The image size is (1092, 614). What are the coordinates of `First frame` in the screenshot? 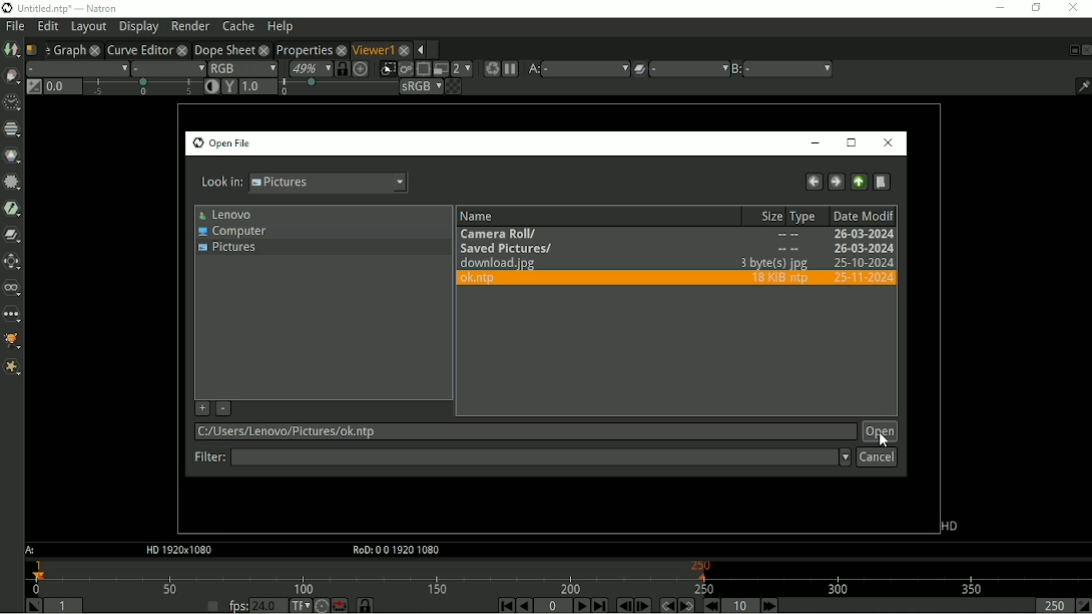 It's located at (503, 605).